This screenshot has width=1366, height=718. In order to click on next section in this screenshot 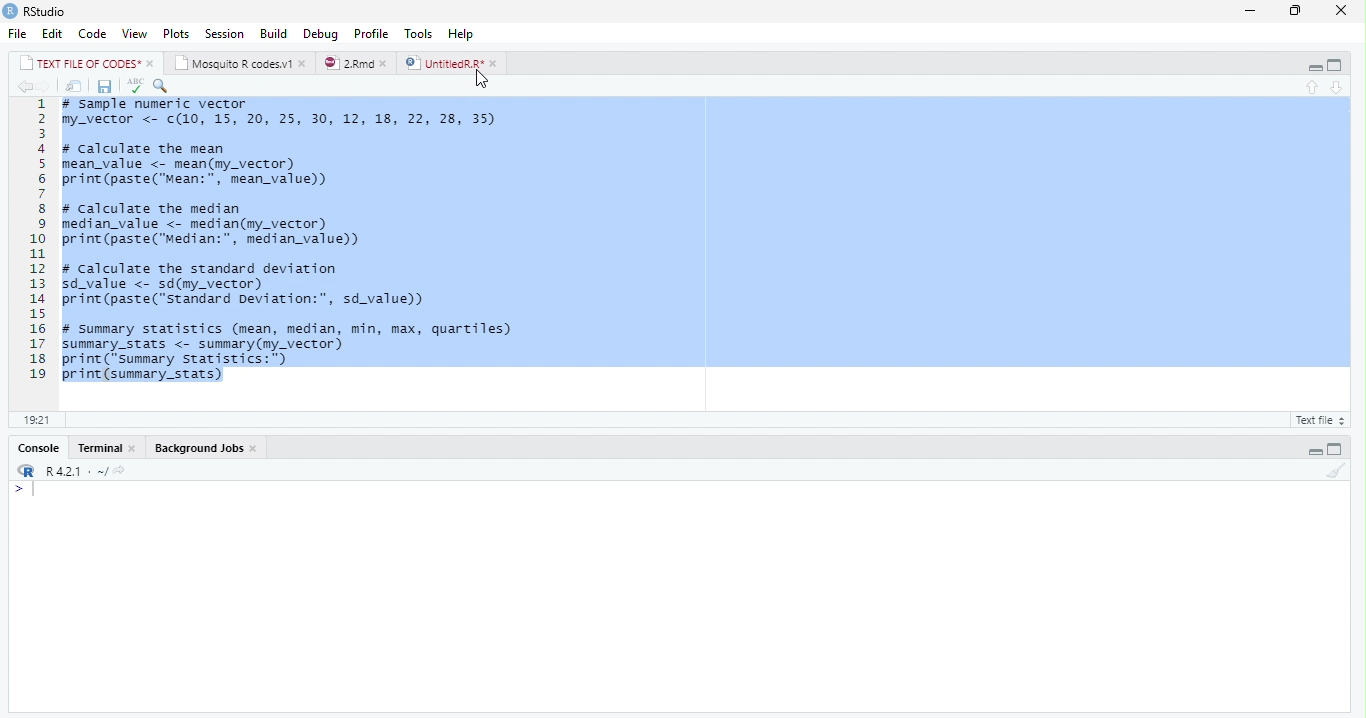, I will do `click(1338, 88)`.